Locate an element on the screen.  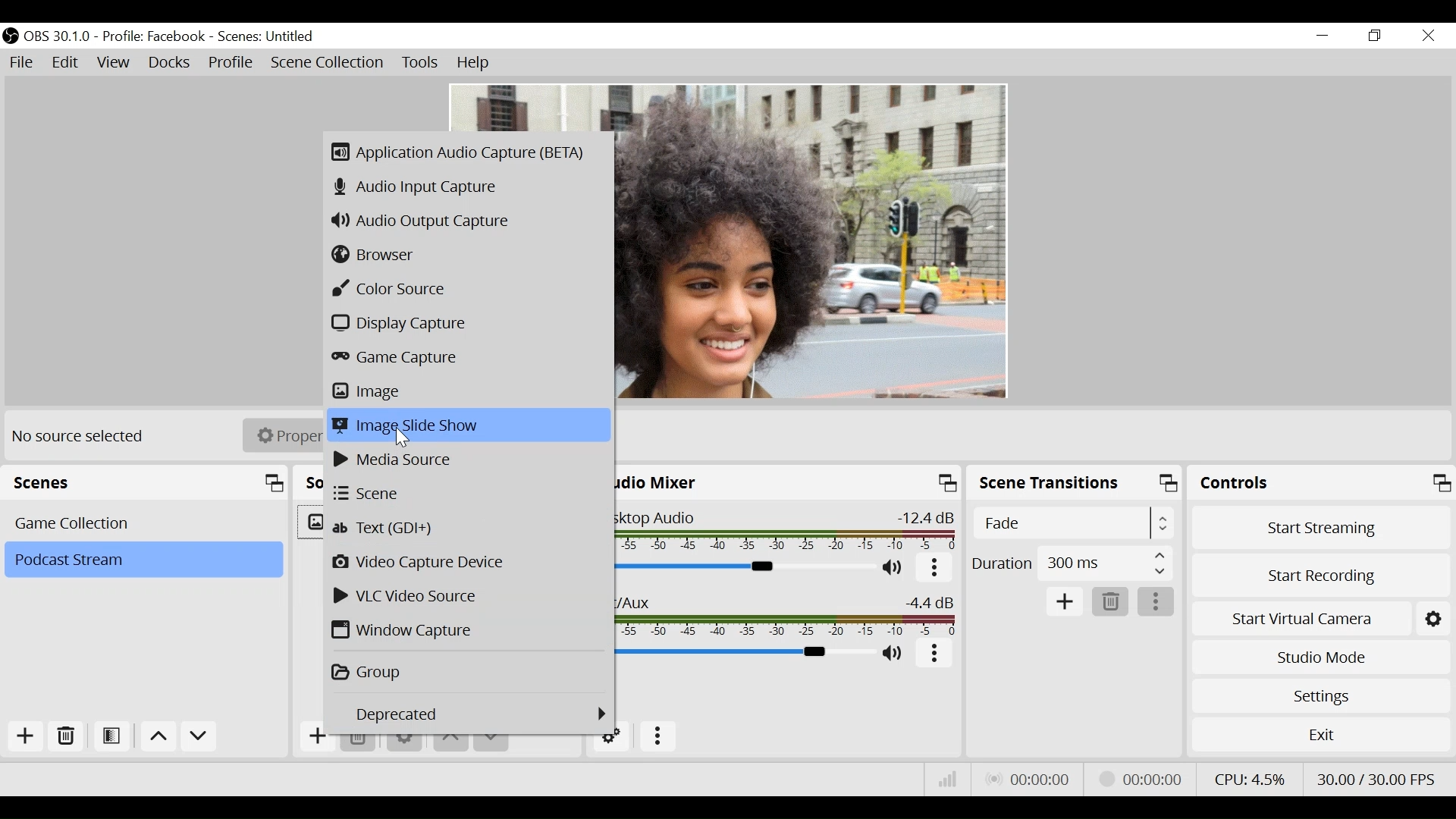
Scene is located at coordinates (469, 492).